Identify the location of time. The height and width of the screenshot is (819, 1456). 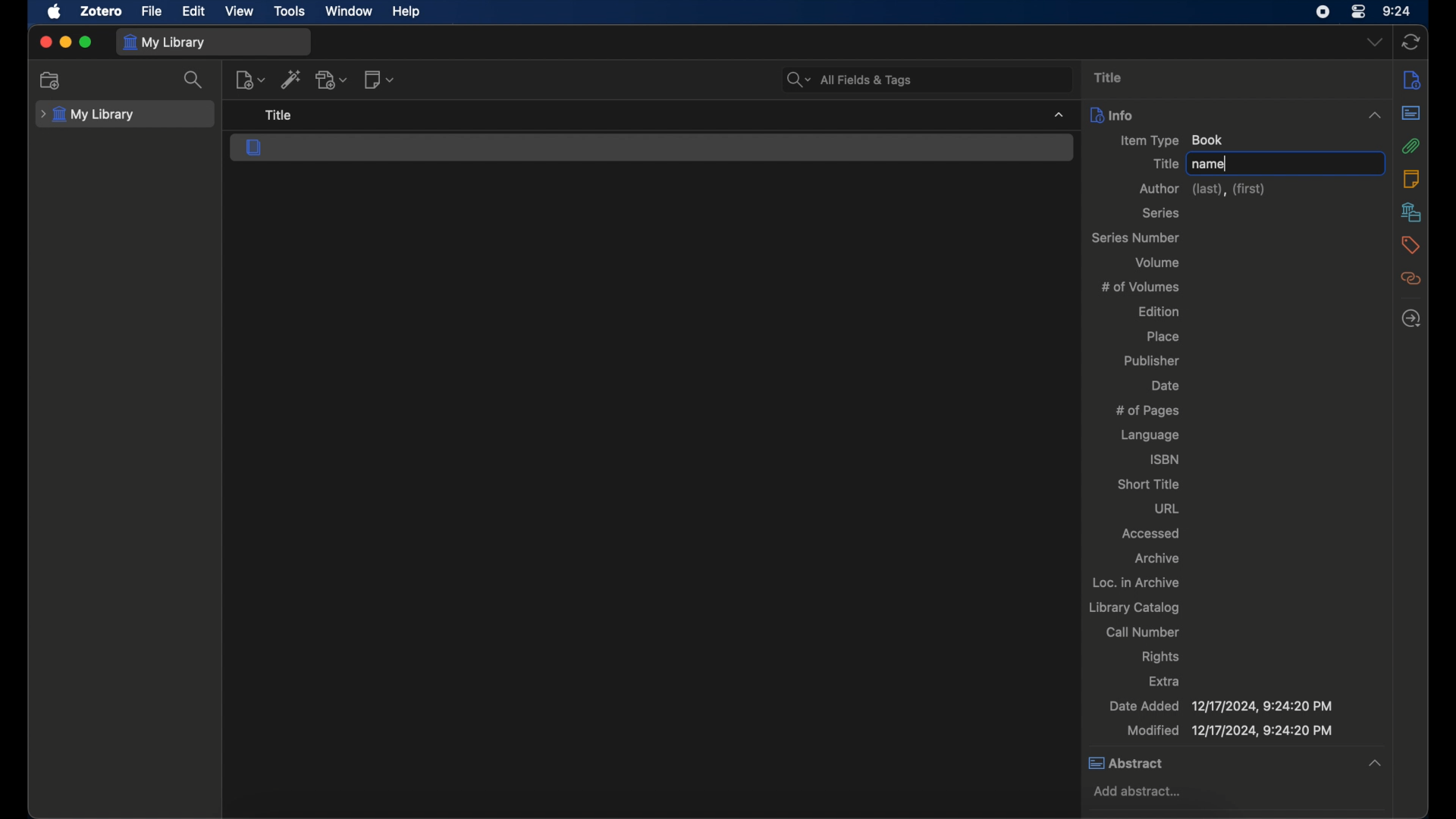
(1398, 11).